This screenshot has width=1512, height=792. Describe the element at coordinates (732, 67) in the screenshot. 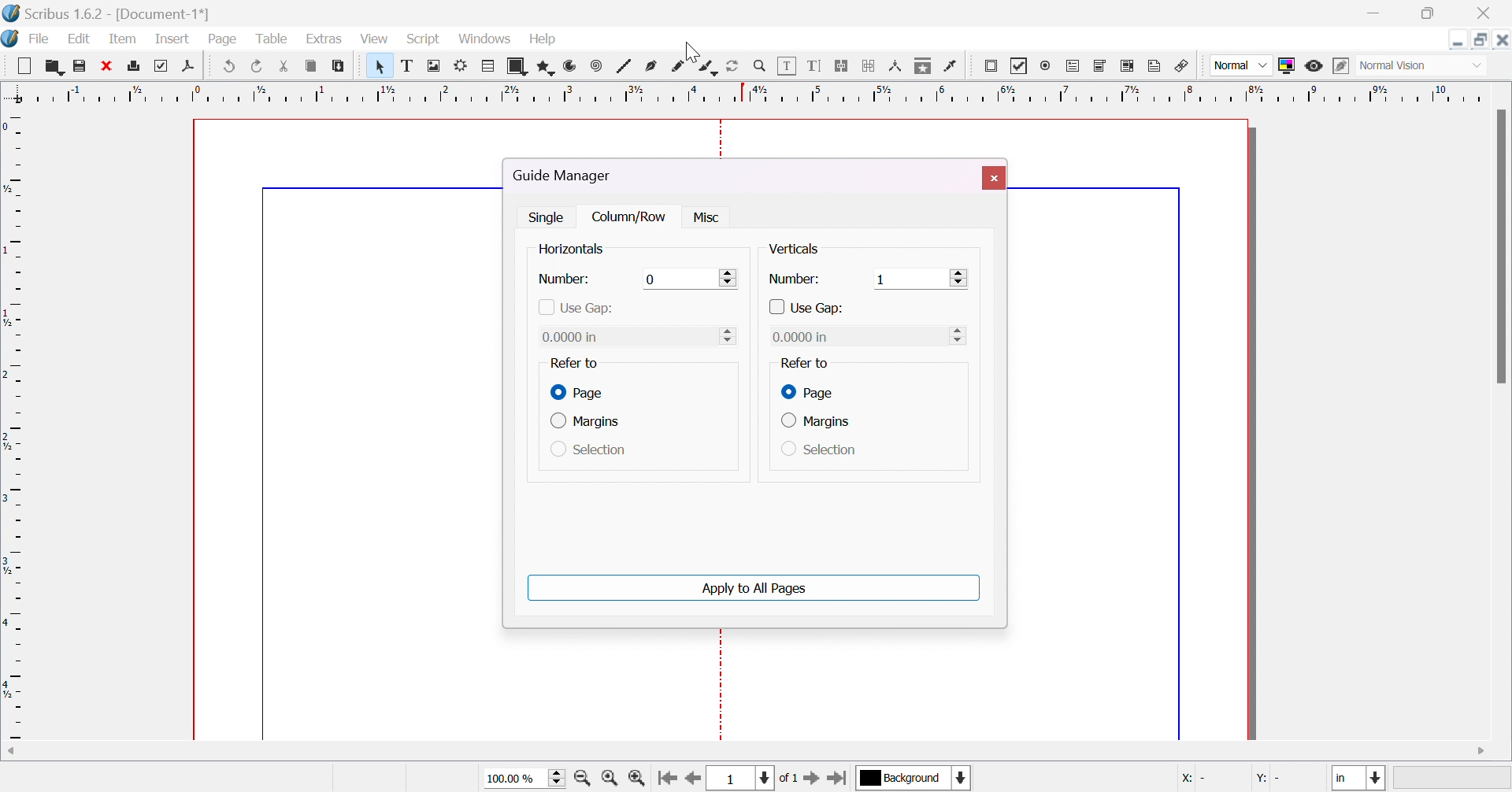

I see `rotate item` at that location.